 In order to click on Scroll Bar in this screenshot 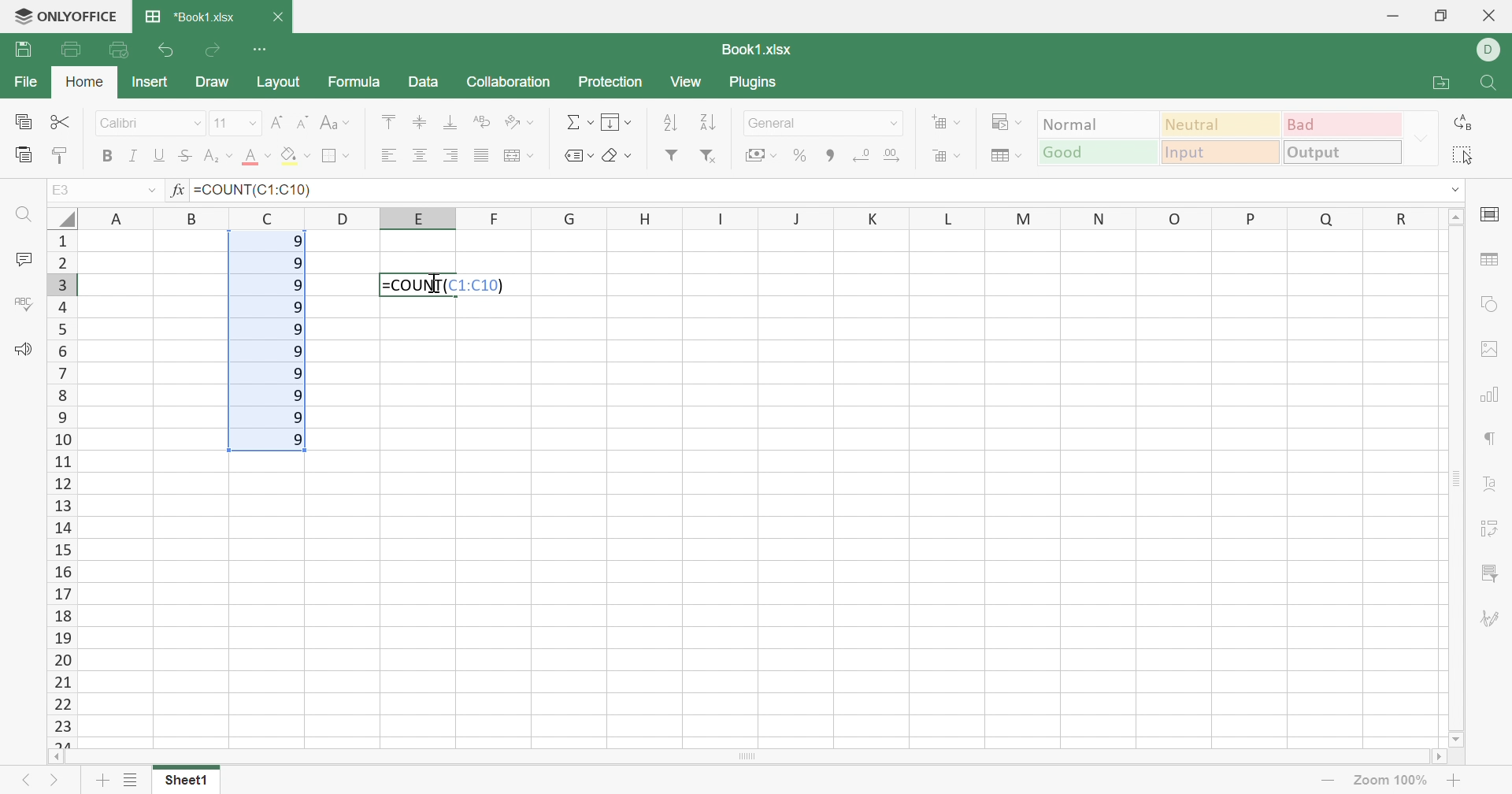, I will do `click(750, 759)`.